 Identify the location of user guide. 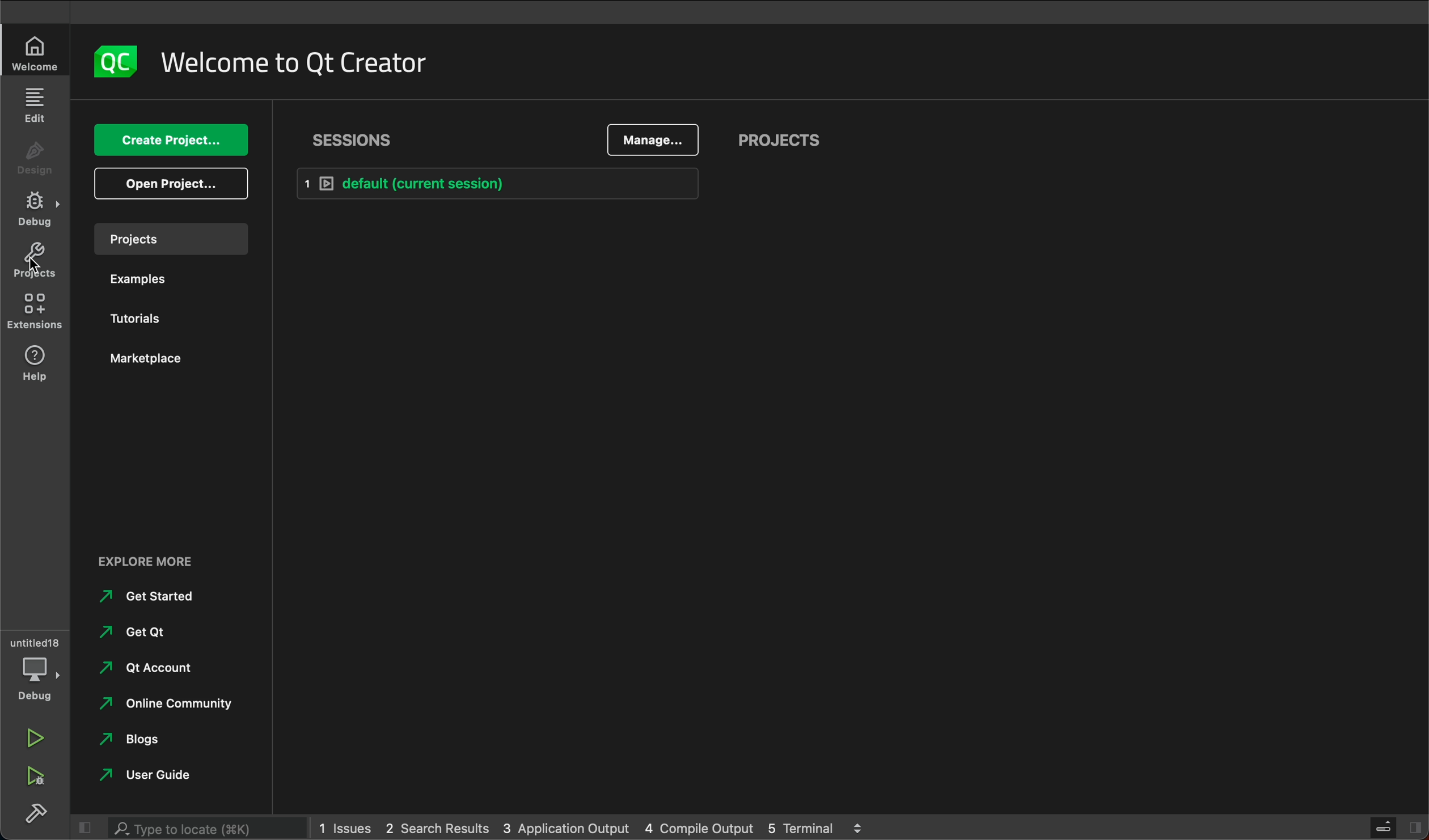
(146, 776).